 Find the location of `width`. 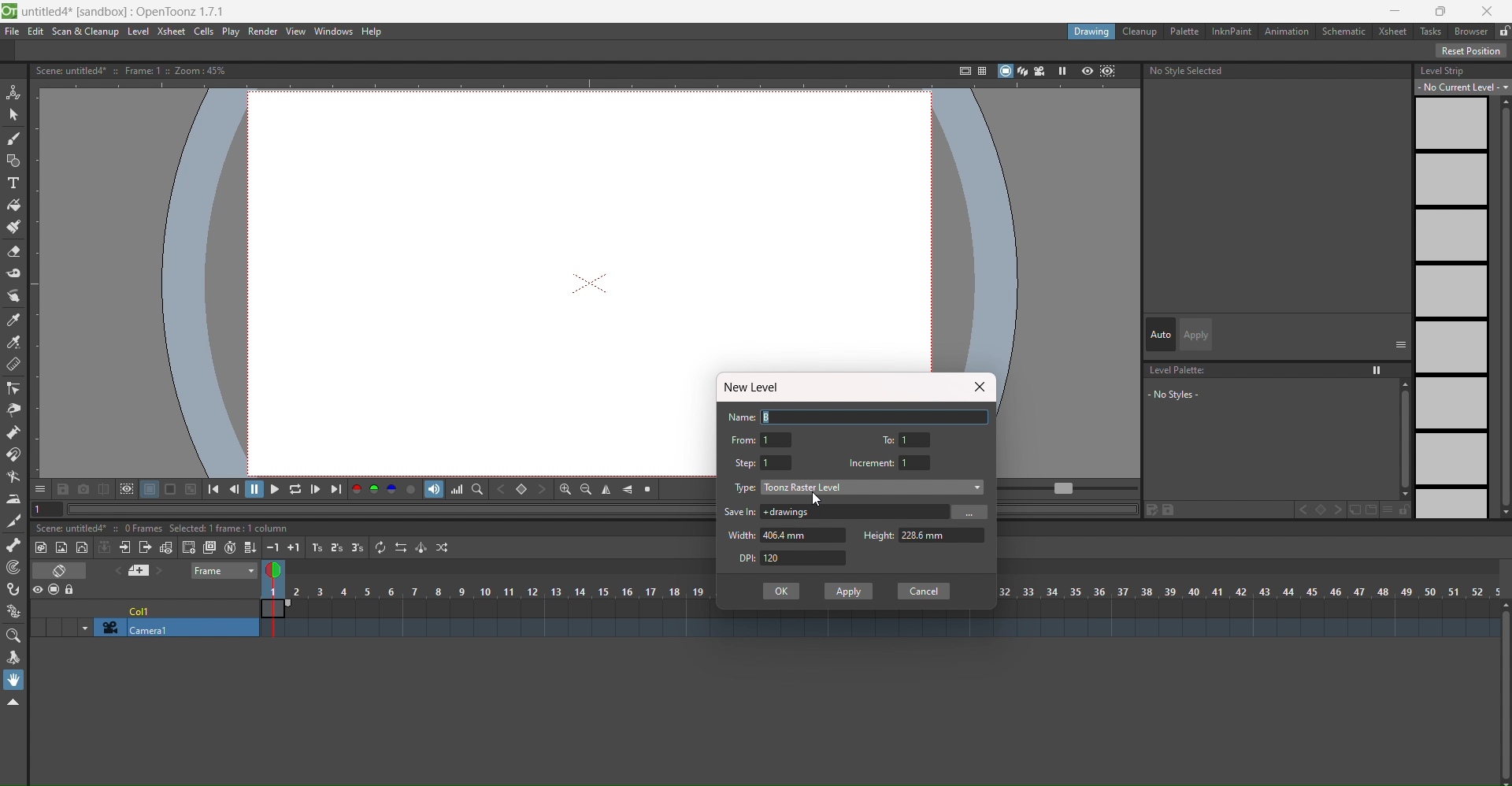

width is located at coordinates (743, 535).